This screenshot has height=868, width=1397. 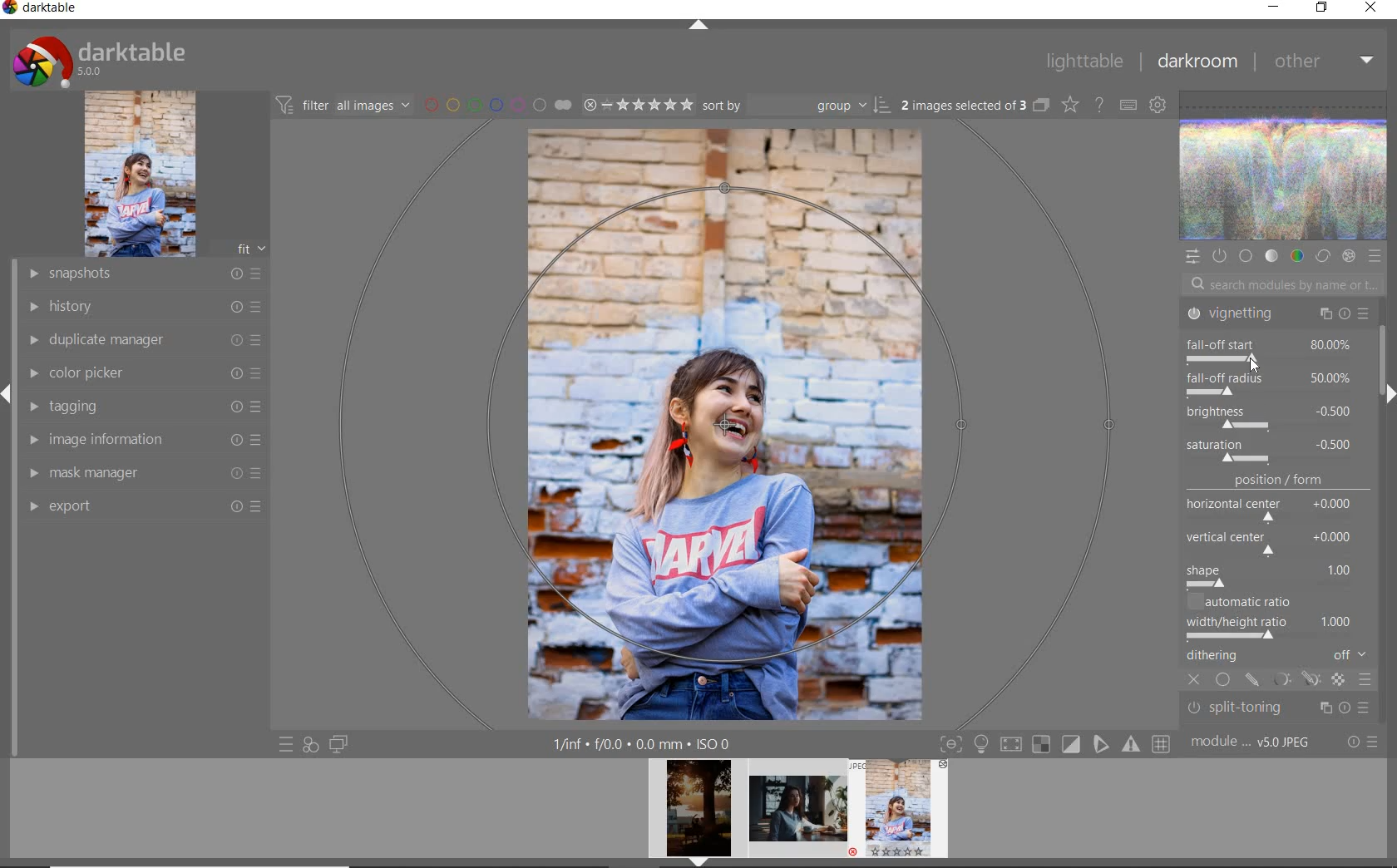 What do you see at coordinates (250, 246) in the screenshot?
I see `frt` at bounding box center [250, 246].